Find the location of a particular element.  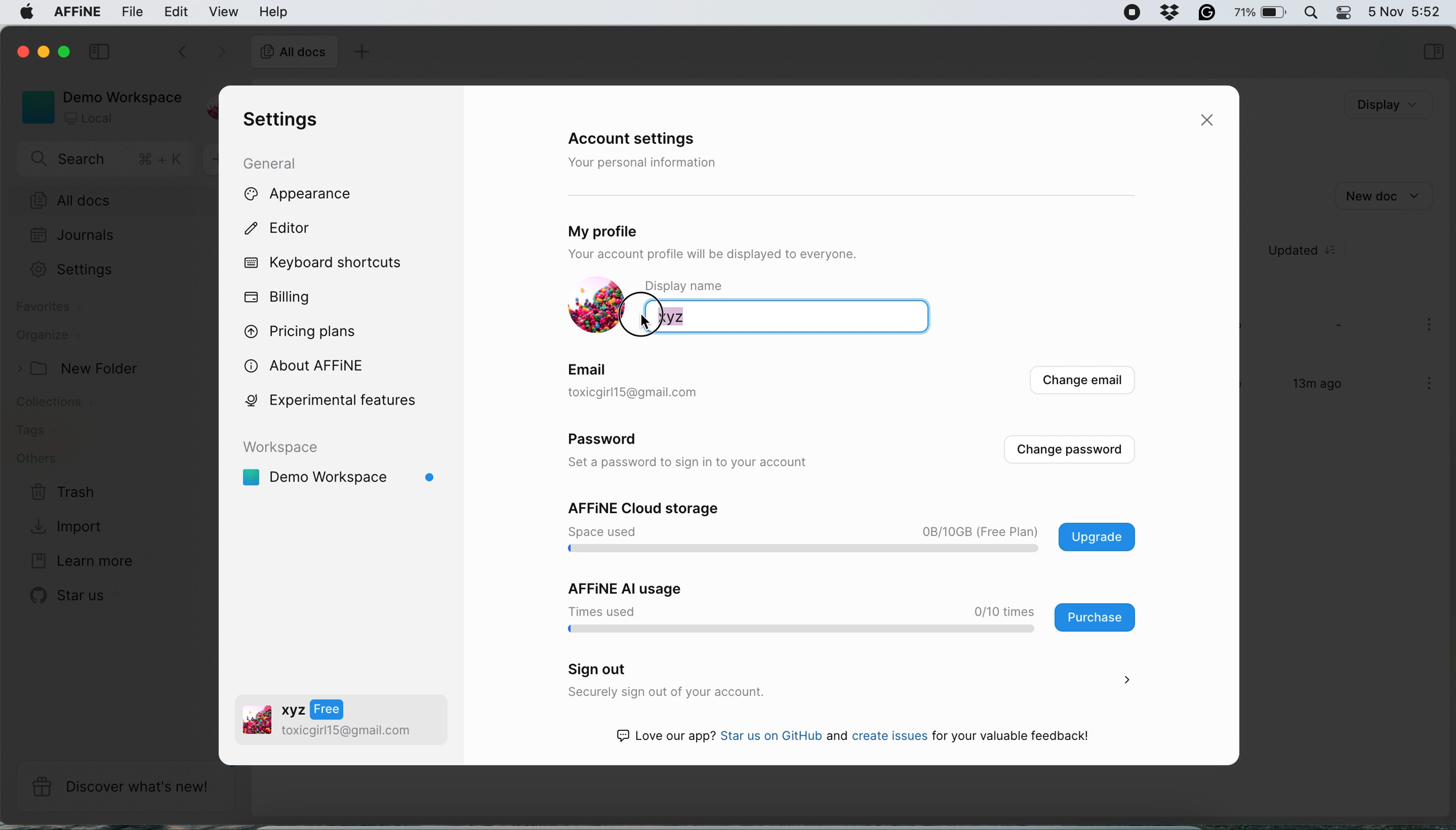

cursor is located at coordinates (644, 315).